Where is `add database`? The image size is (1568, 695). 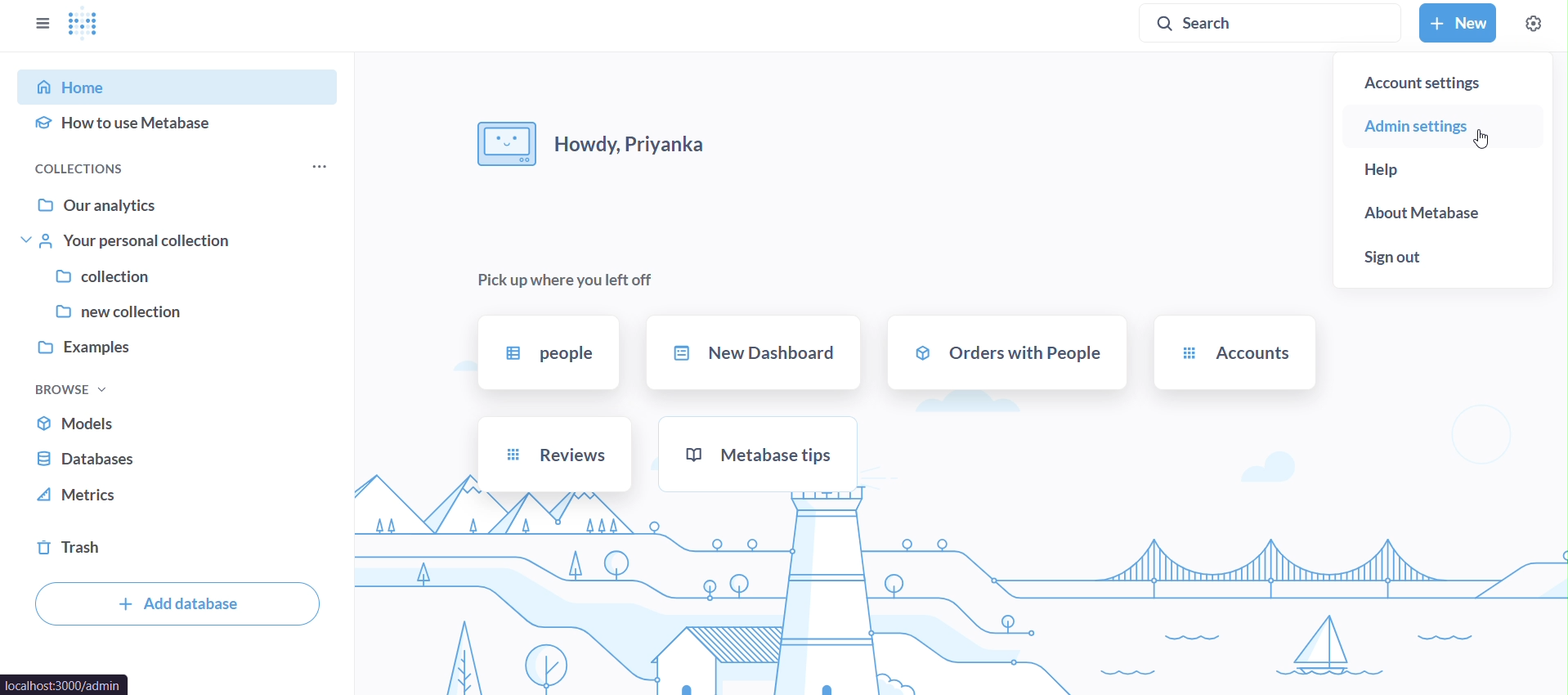
add database is located at coordinates (177, 605).